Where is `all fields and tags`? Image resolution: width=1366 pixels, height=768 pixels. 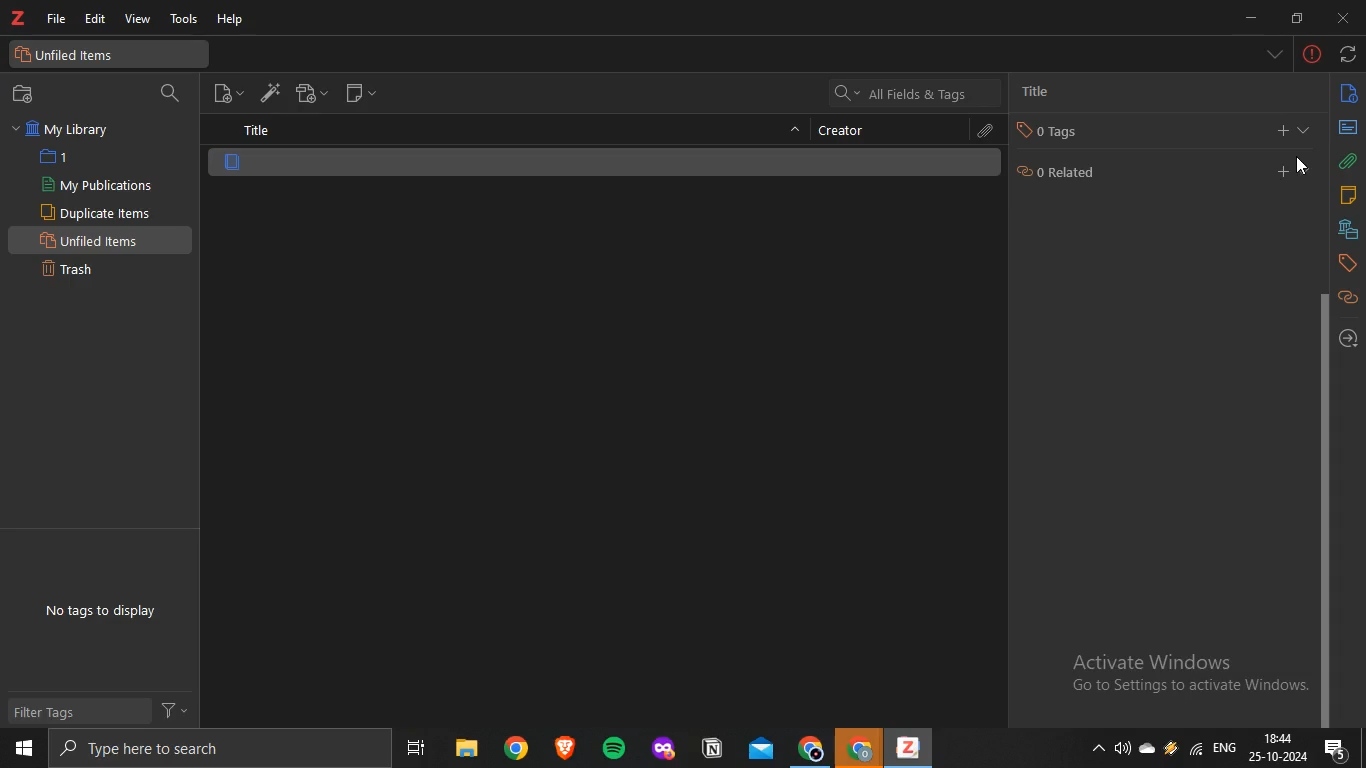 all fields and tags is located at coordinates (906, 94).